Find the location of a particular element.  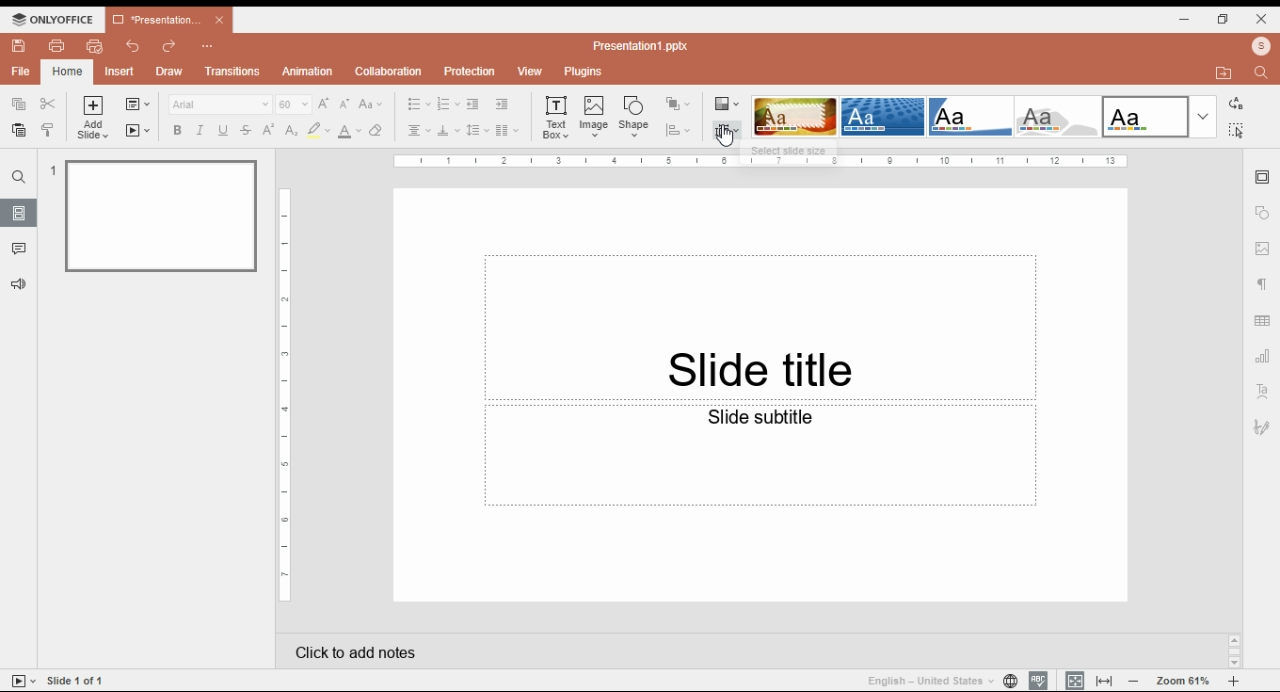

Page Scale is located at coordinates (761, 161).